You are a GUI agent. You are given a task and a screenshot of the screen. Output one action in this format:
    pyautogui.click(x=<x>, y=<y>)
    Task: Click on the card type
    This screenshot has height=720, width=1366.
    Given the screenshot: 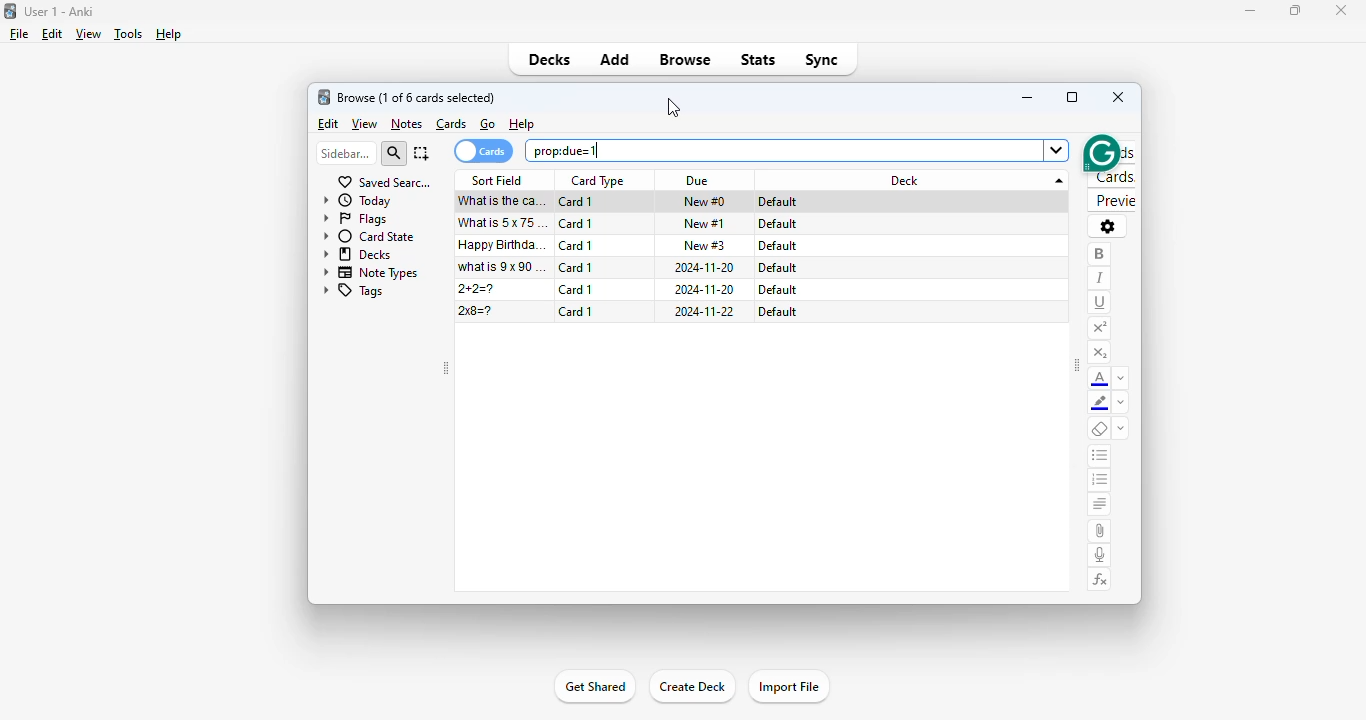 What is the action you would take?
    pyautogui.click(x=598, y=181)
    